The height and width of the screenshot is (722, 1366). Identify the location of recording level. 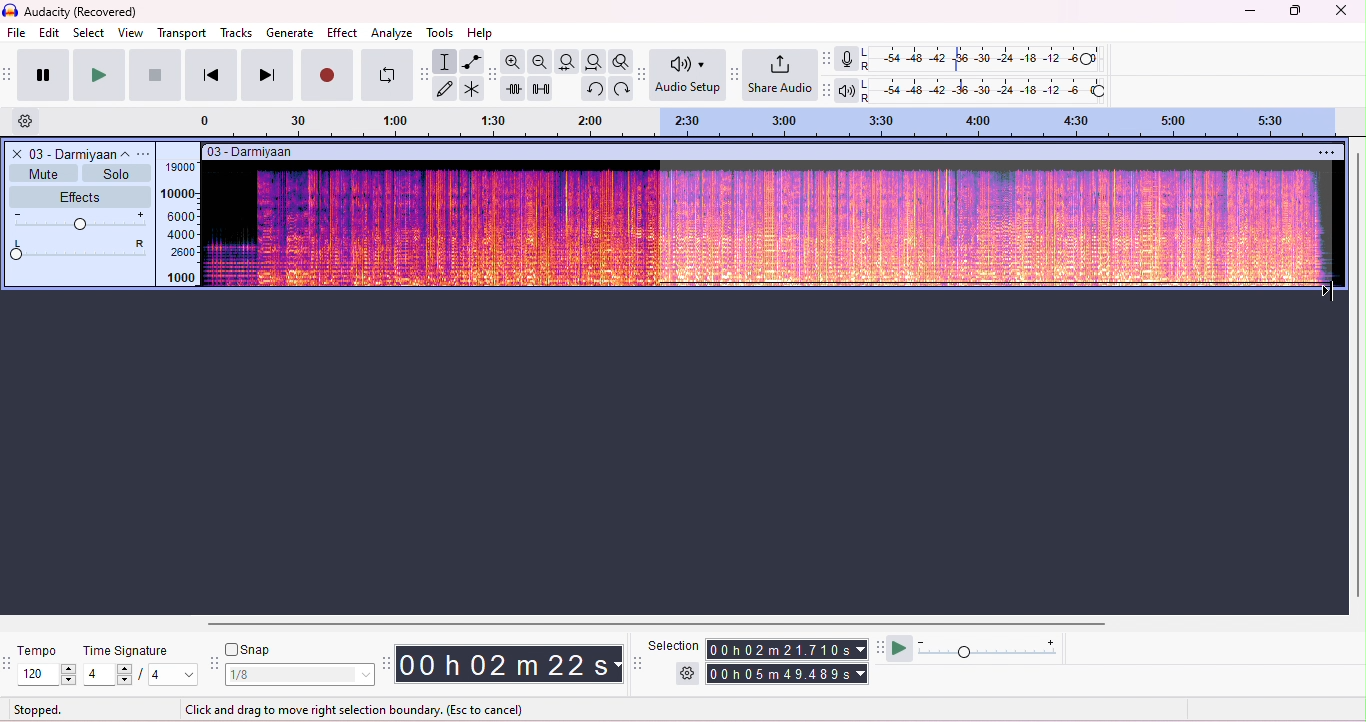
(984, 59).